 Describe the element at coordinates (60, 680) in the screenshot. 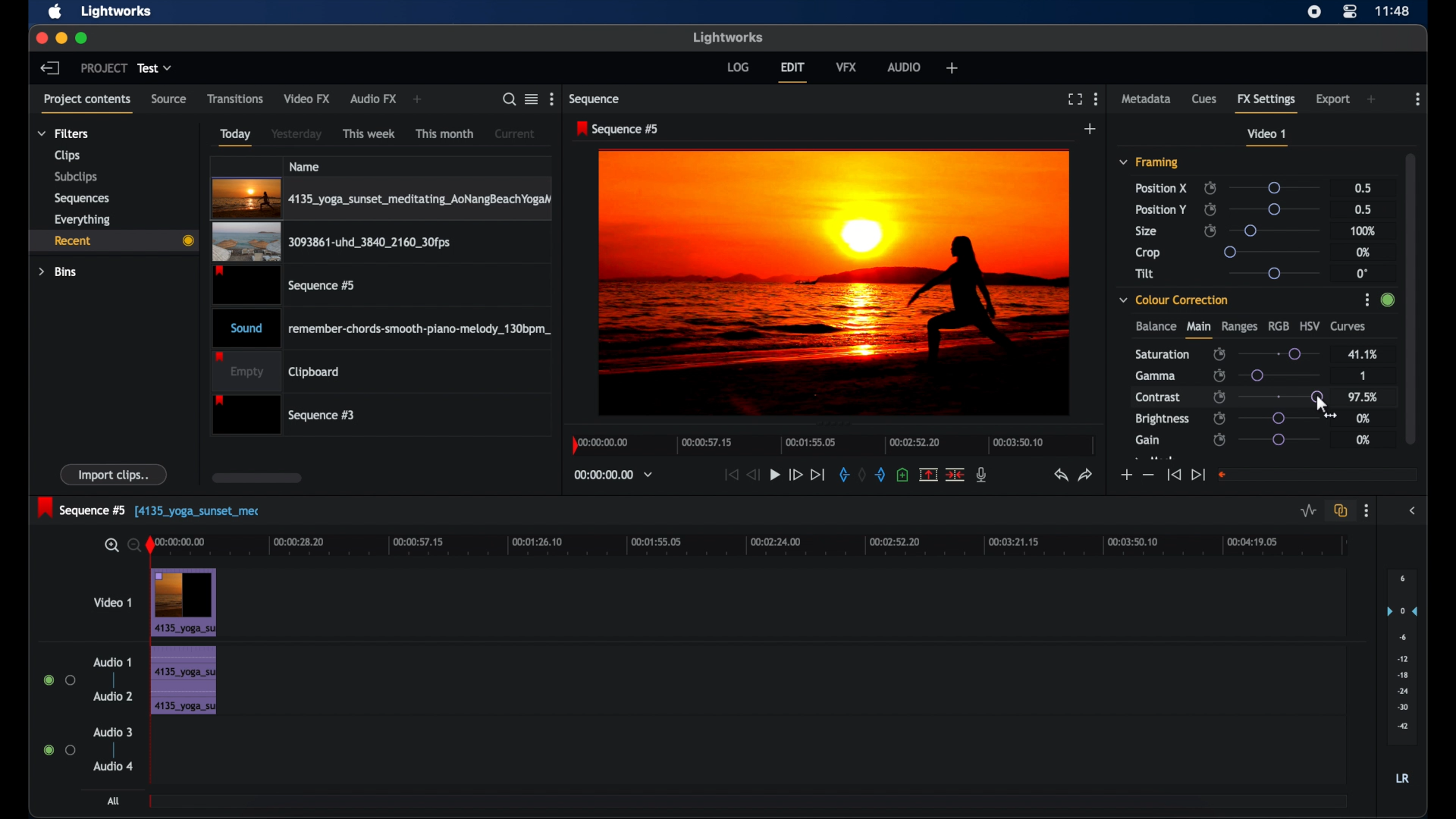

I see `radio buttons` at that location.